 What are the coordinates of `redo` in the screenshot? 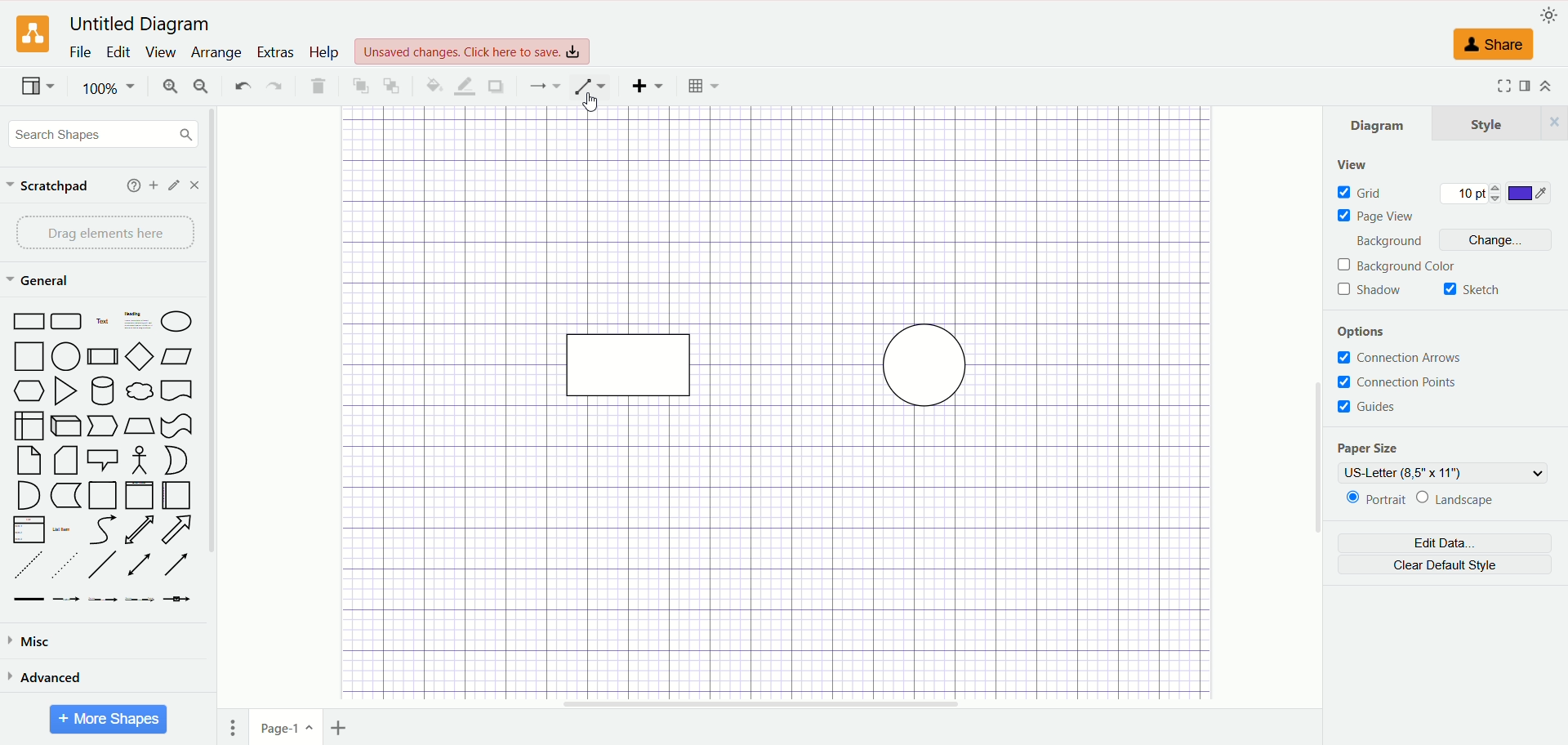 It's located at (274, 86).